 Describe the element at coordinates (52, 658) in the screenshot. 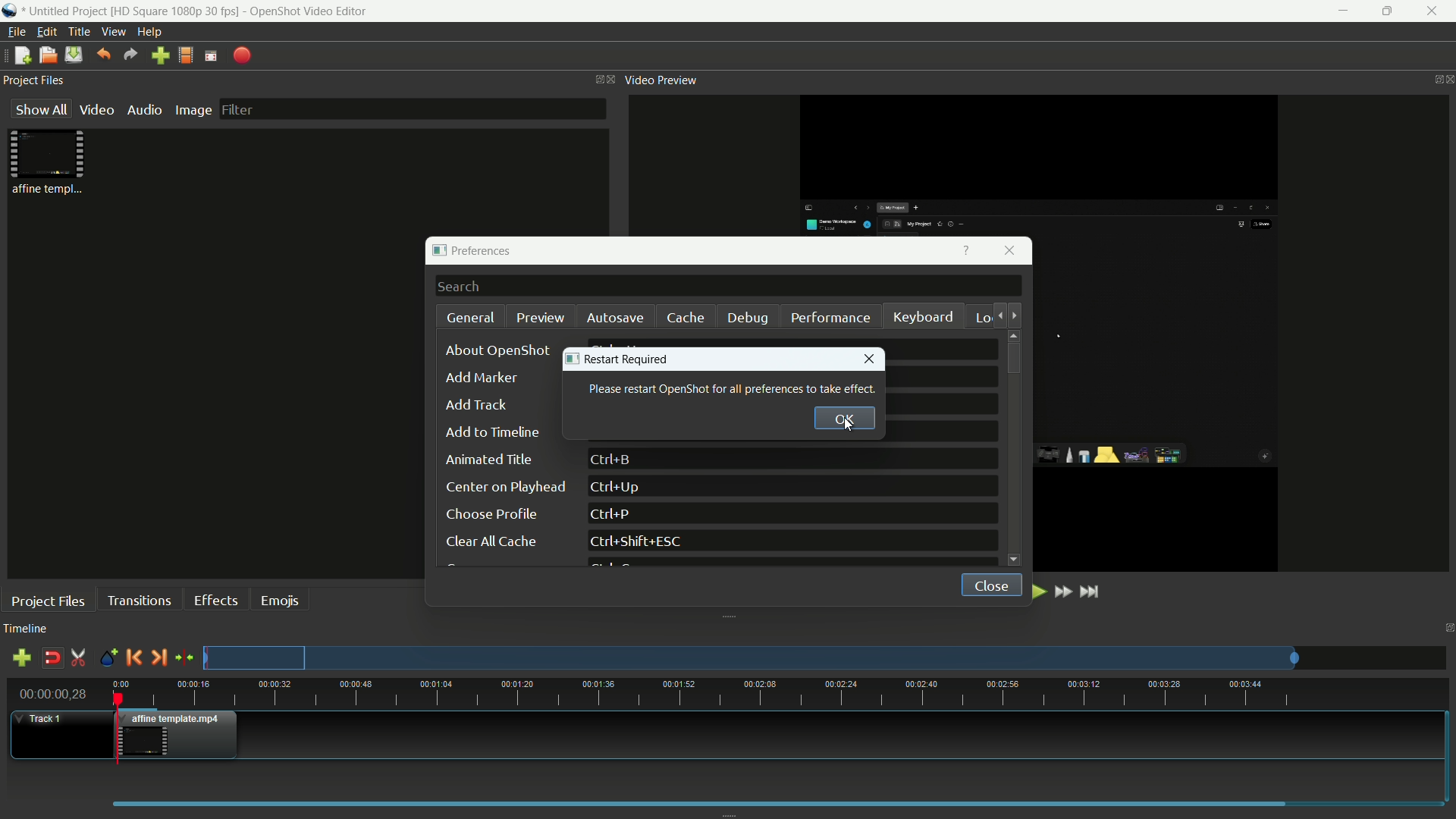

I see `disable snap` at that location.